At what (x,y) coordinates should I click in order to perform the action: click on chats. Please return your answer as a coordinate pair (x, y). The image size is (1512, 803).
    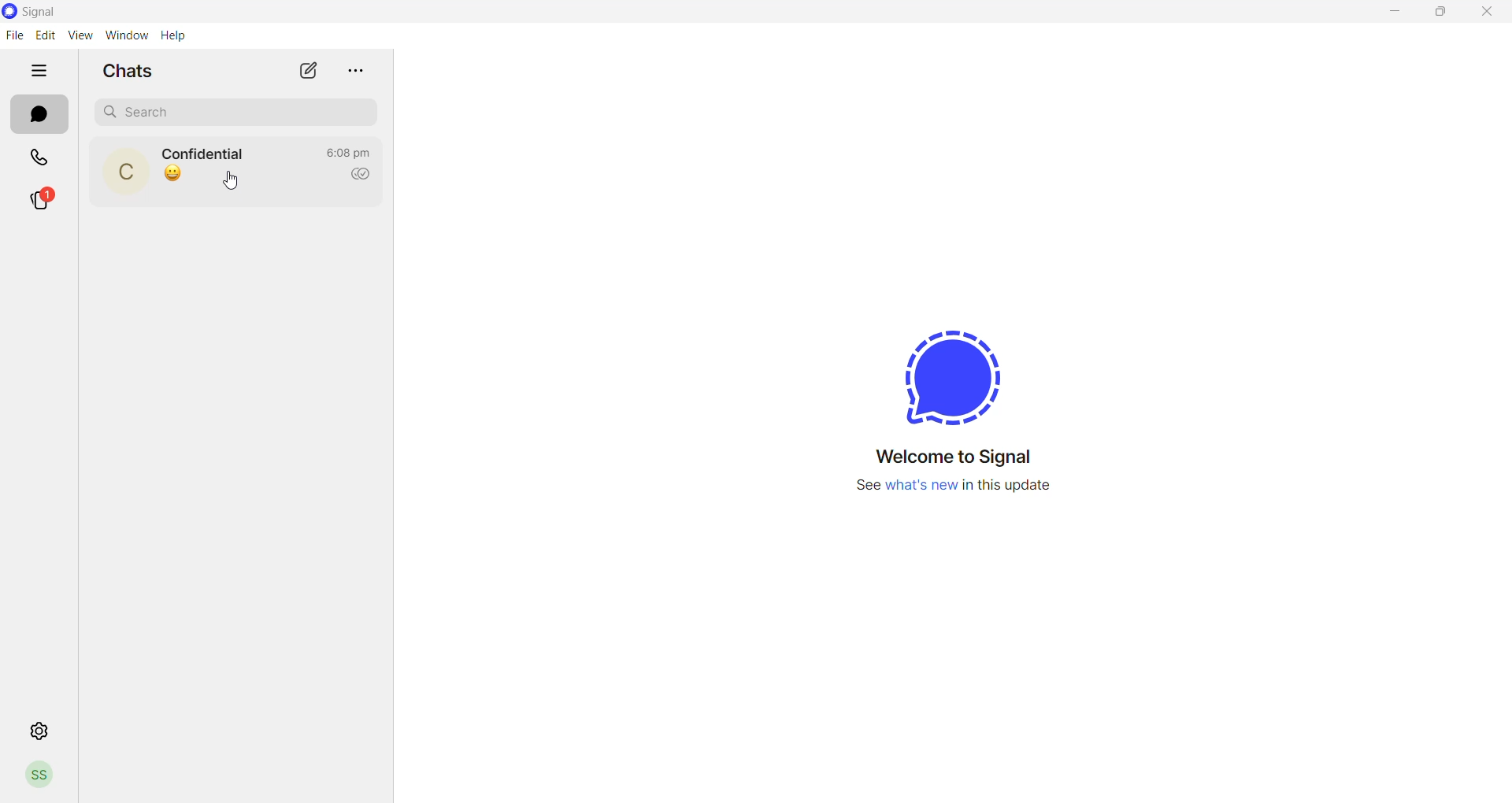
    Looking at the image, I should click on (39, 114).